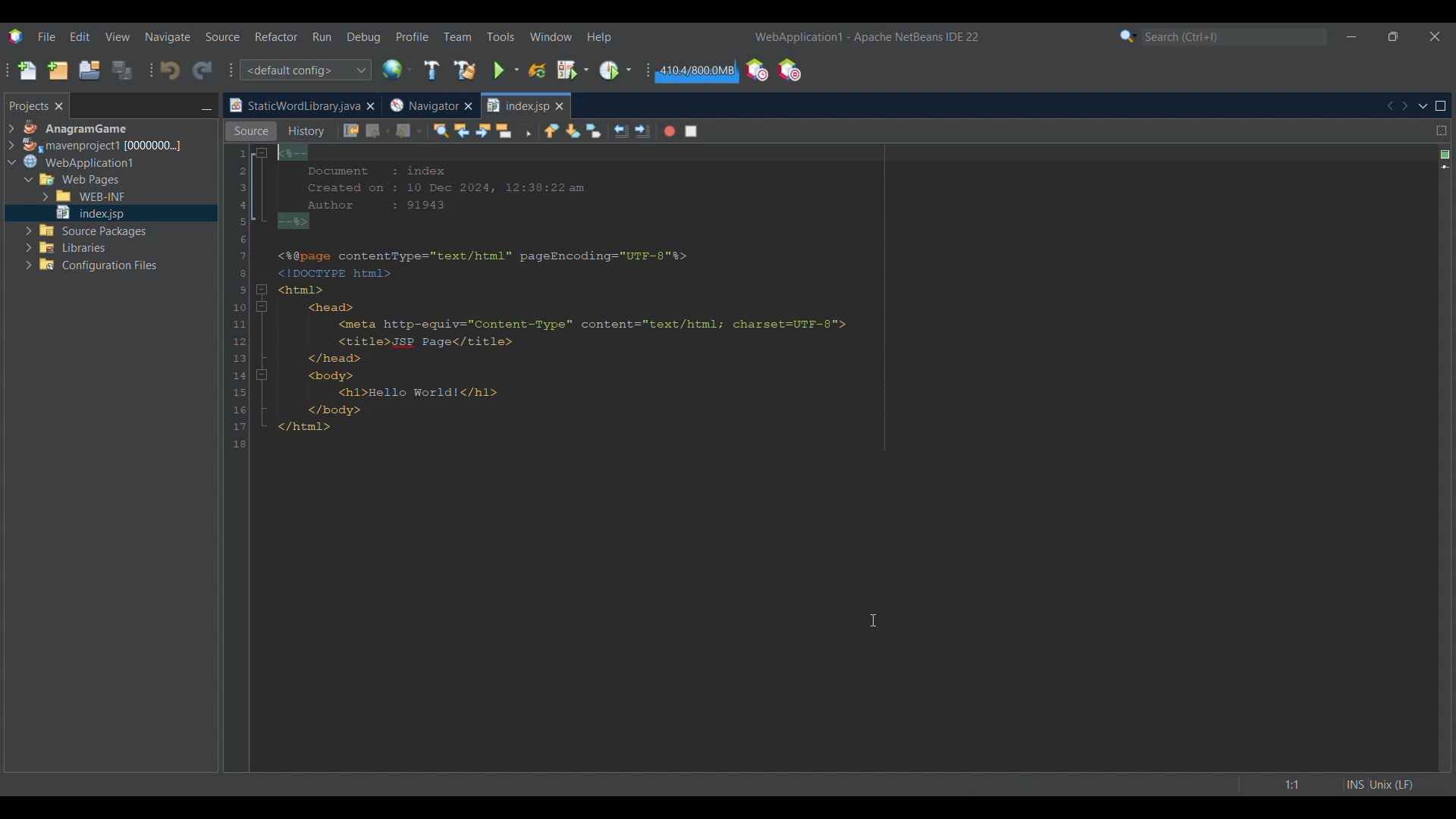 The width and height of the screenshot is (1456, 819). Describe the element at coordinates (46, 36) in the screenshot. I see `File menu` at that location.